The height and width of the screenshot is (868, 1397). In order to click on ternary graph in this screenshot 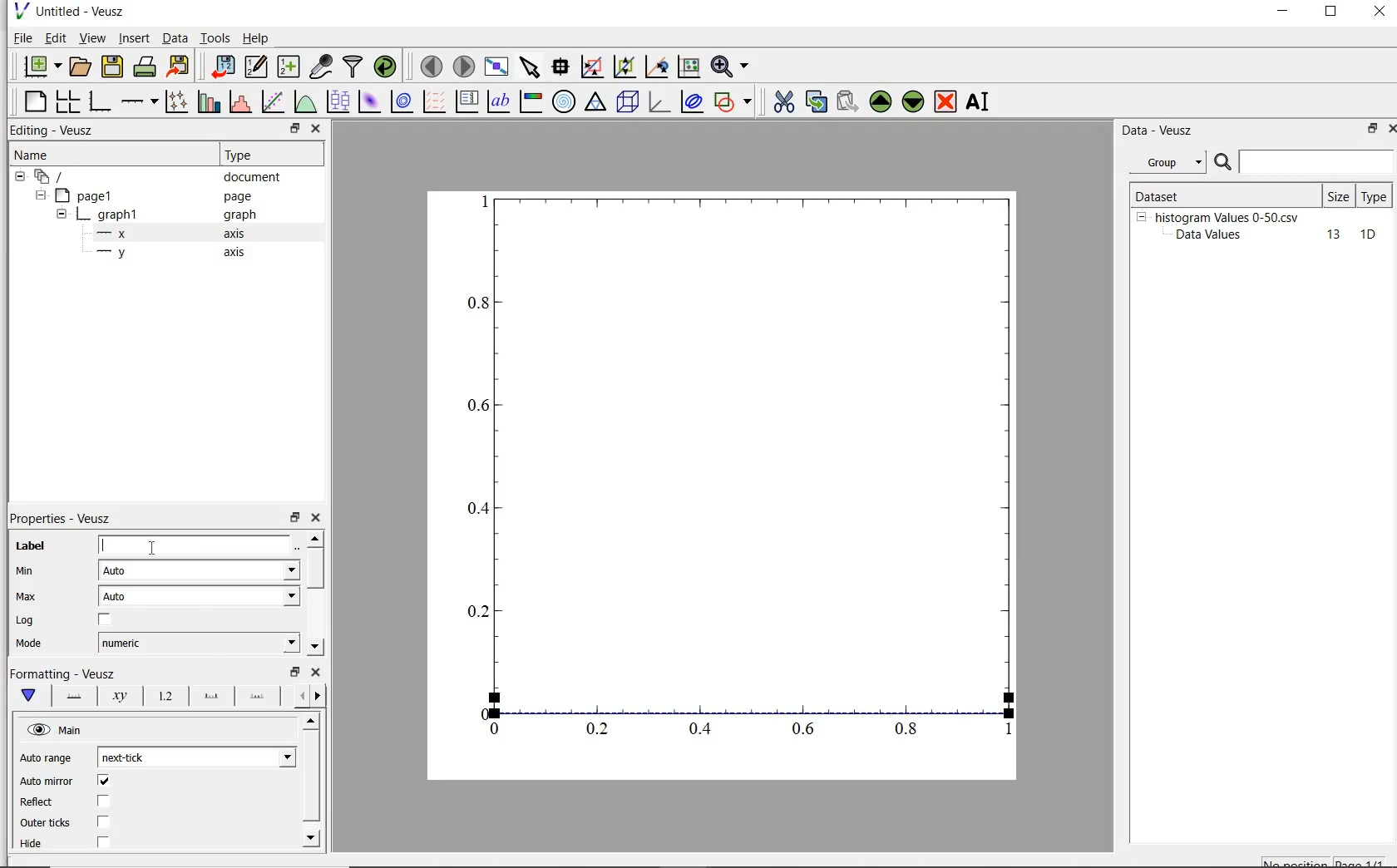, I will do `click(596, 103)`.